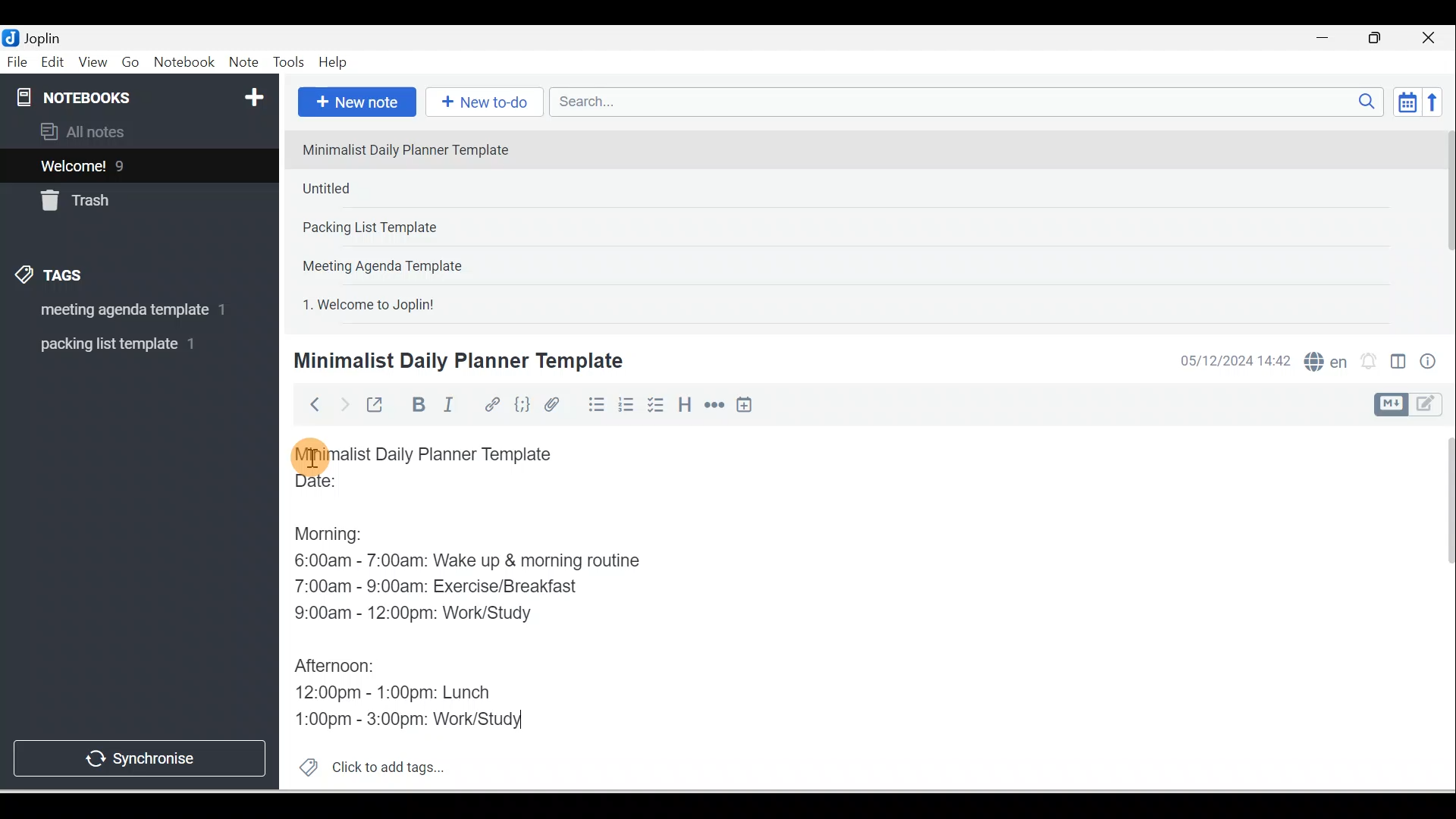 This screenshot has height=819, width=1456. What do you see at coordinates (119, 311) in the screenshot?
I see `Tag 1` at bounding box center [119, 311].